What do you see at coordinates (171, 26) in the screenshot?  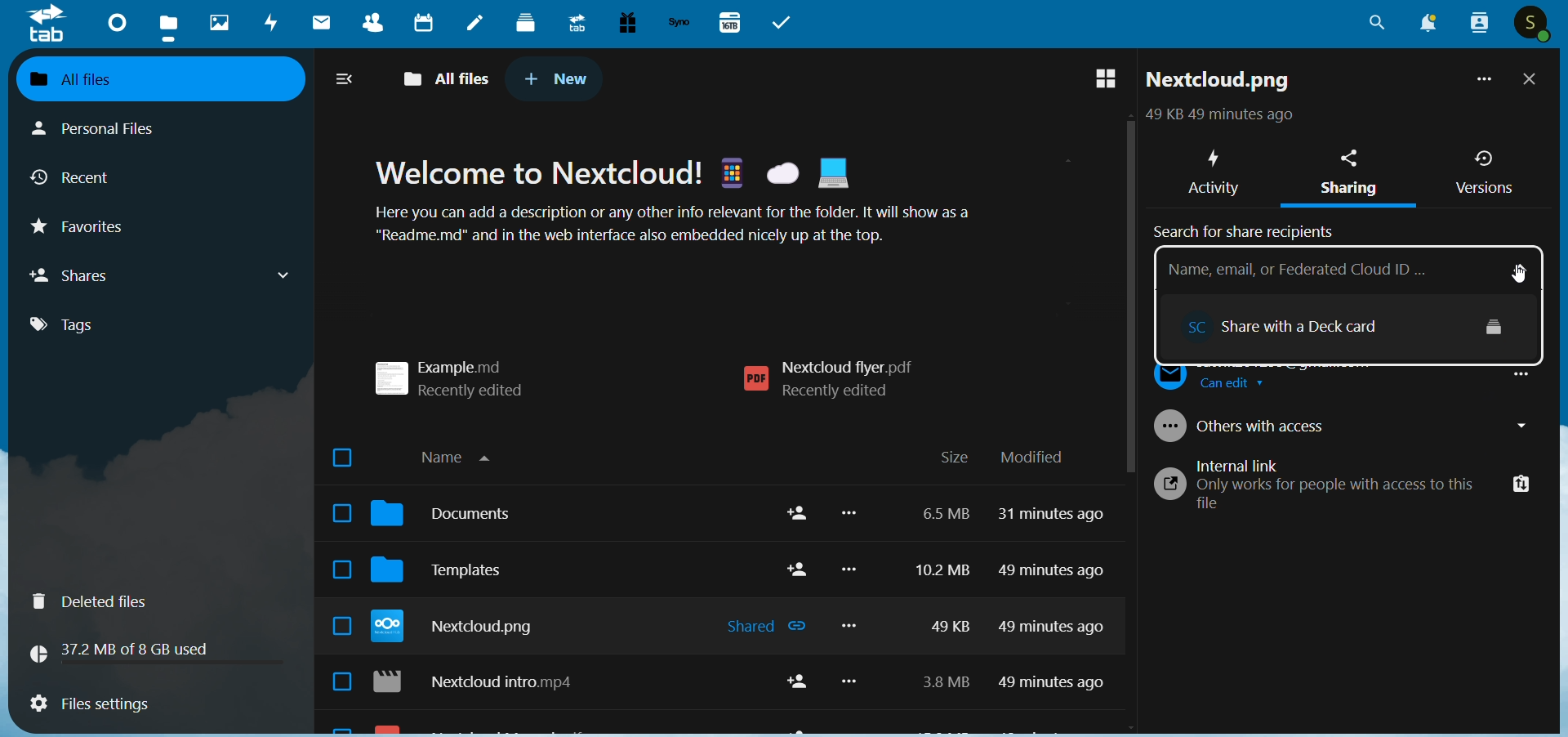 I see `files` at bounding box center [171, 26].